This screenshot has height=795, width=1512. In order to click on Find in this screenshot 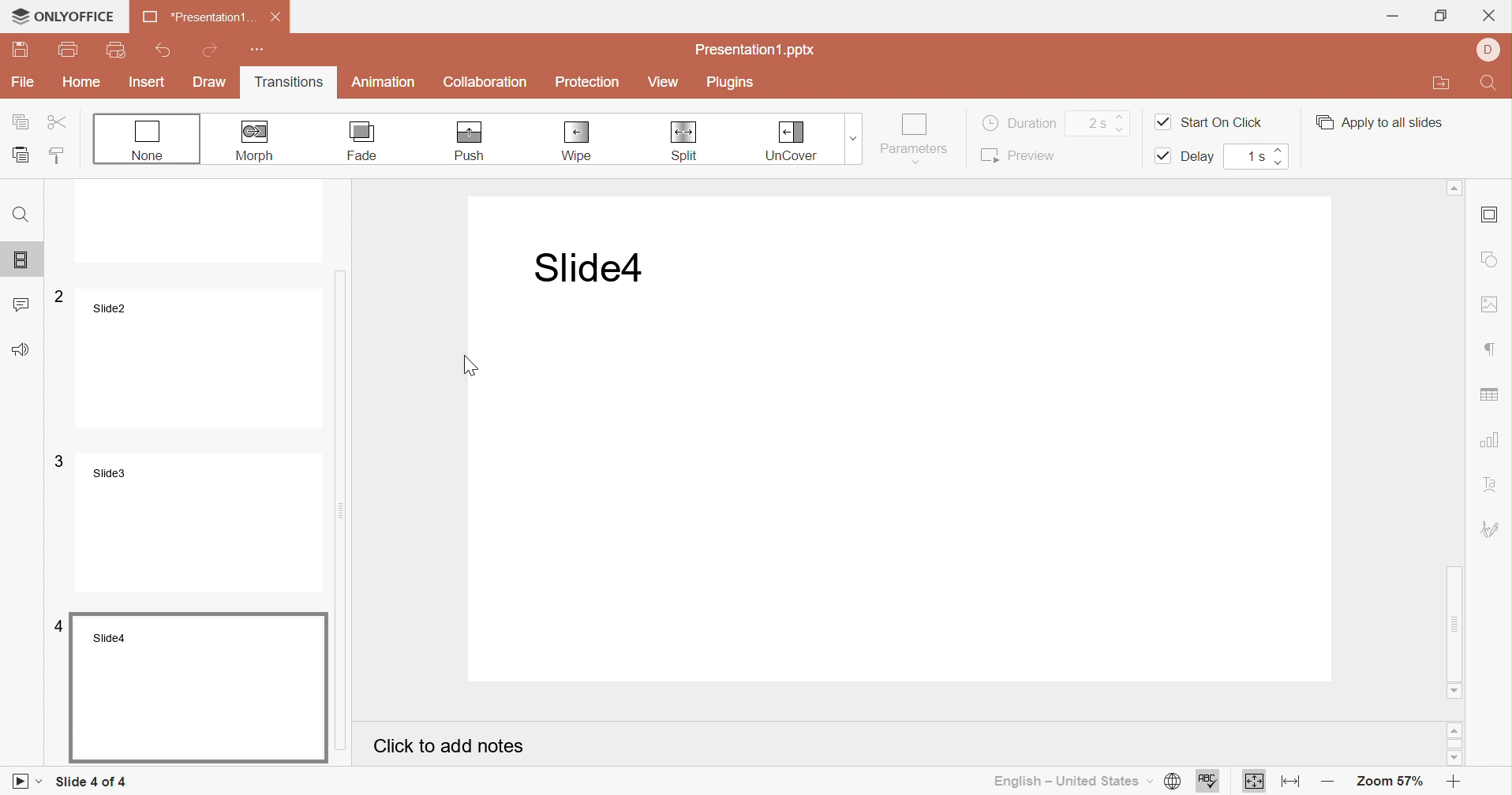, I will do `click(1491, 82)`.